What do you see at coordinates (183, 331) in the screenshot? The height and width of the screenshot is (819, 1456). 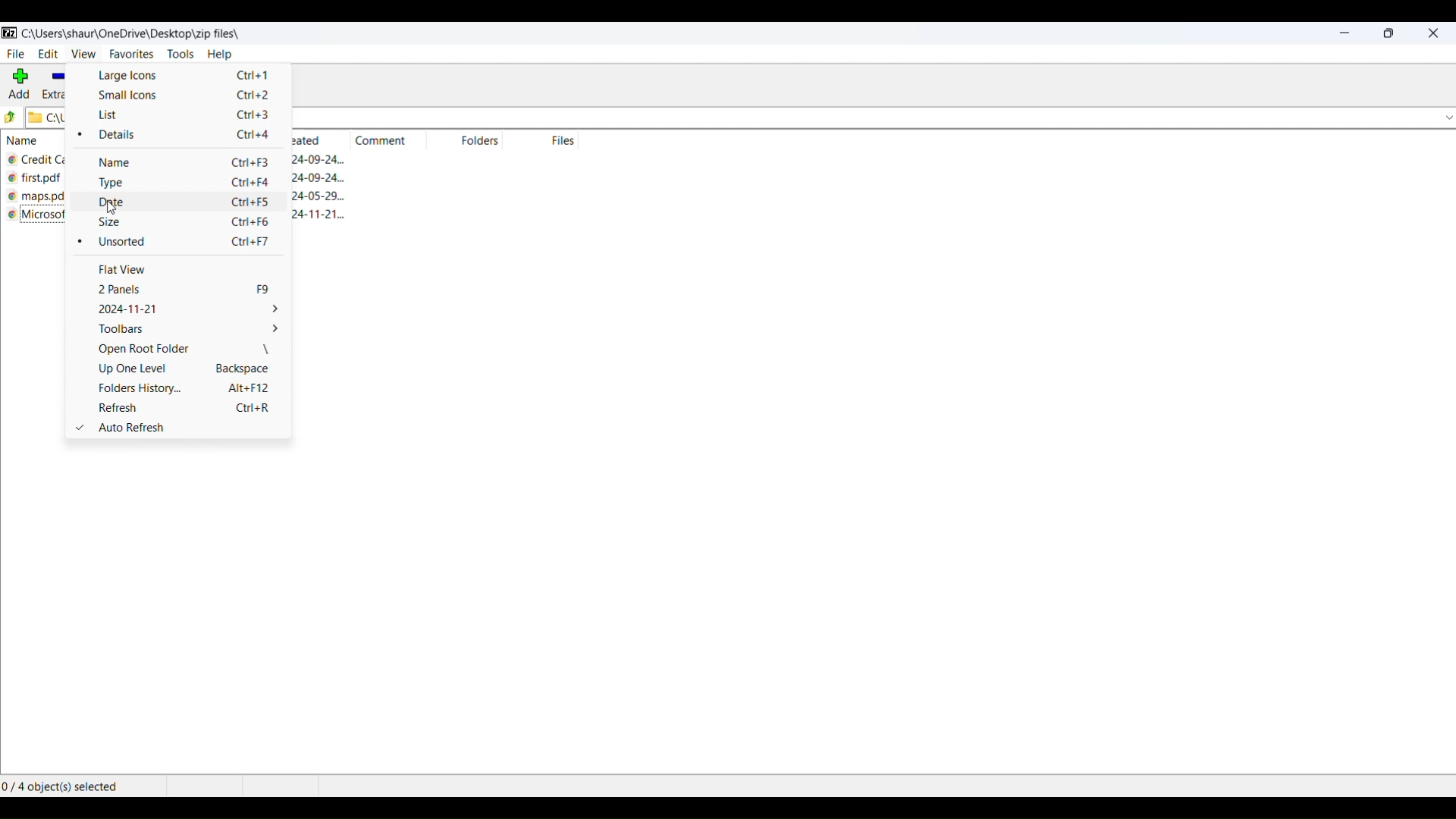 I see `toolbars` at bounding box center [183, 331].